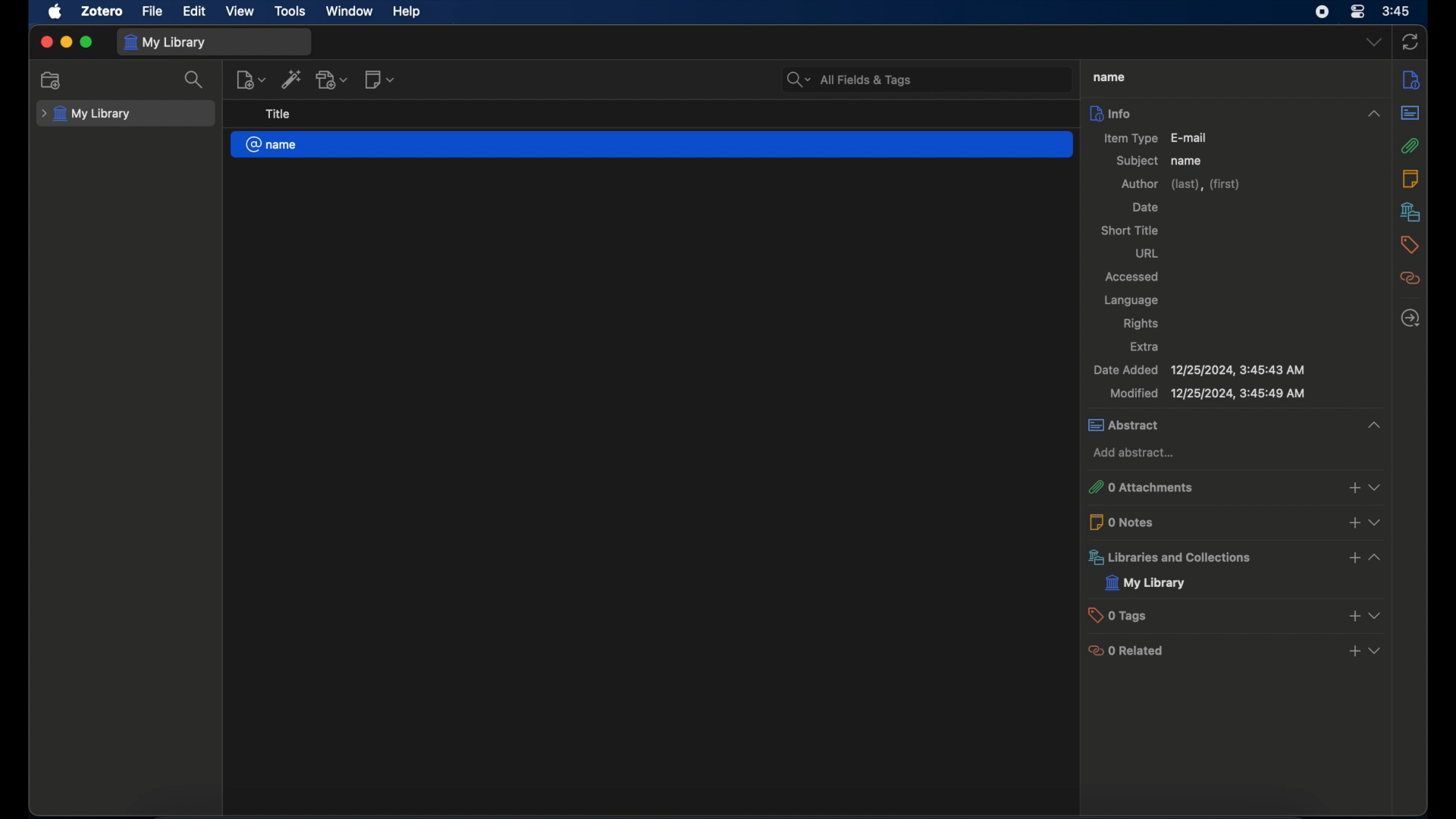 Image resolution: width=1456 pixels, height=819 pixels. What do you see at coordinates (56, 12) in the screenshot?
I see `apple` at bounding box center [56, 12].